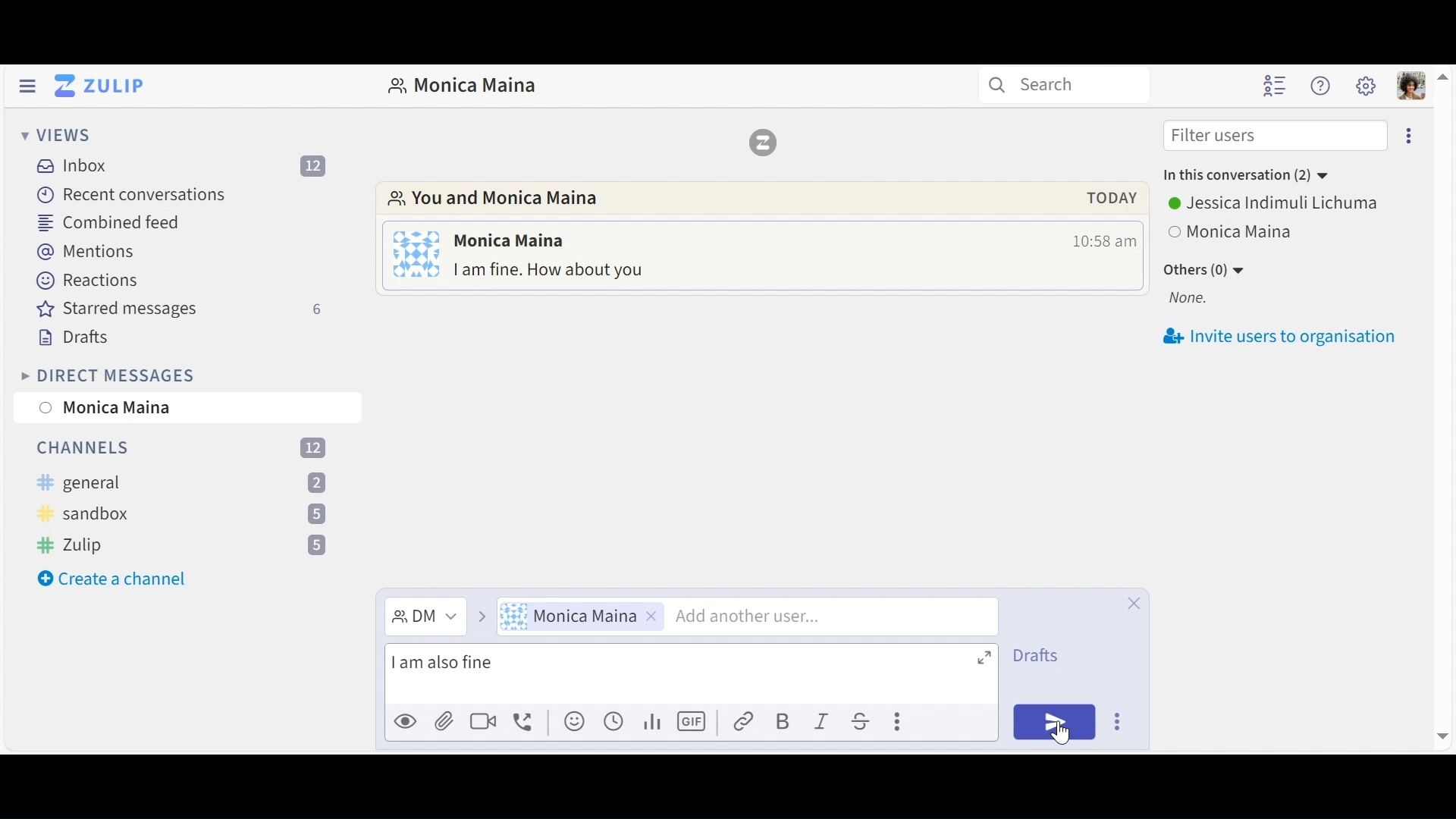 This screenshot has height=819, width=1456. What do you see at coordinates (1366, 86) in the screenshot?
I see `Main user` at bounding box center [1366, 86].